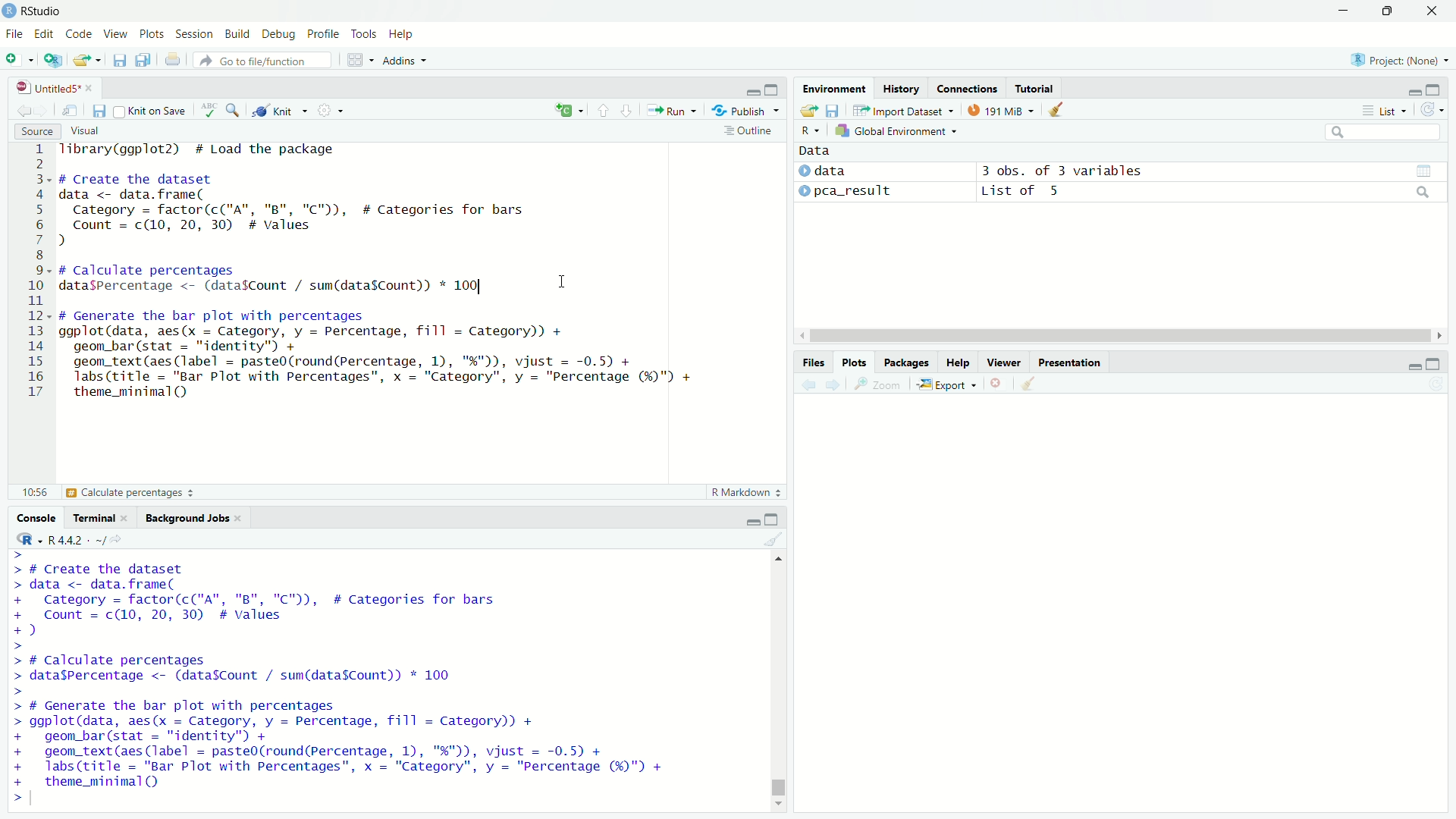 The width and height of the screenshot is (1456, 819). Describe the element at coordinates (1433, 11) in the screenshot. I see `close` at that location.